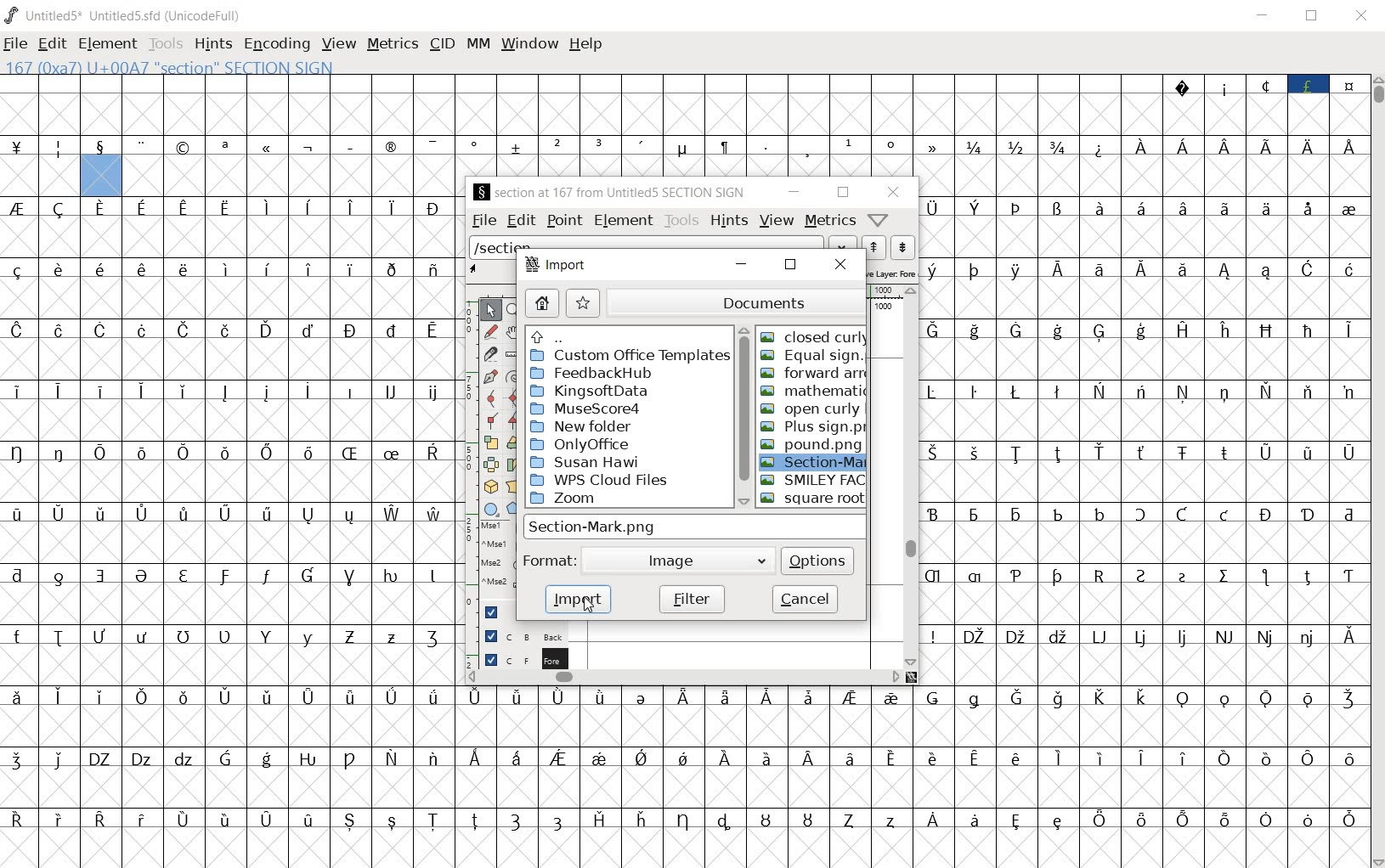 The width and height of the screenshot is (1385, 868). Describe the element at coordinates (843, 193) in the screenshot. I see `restore` at that location.